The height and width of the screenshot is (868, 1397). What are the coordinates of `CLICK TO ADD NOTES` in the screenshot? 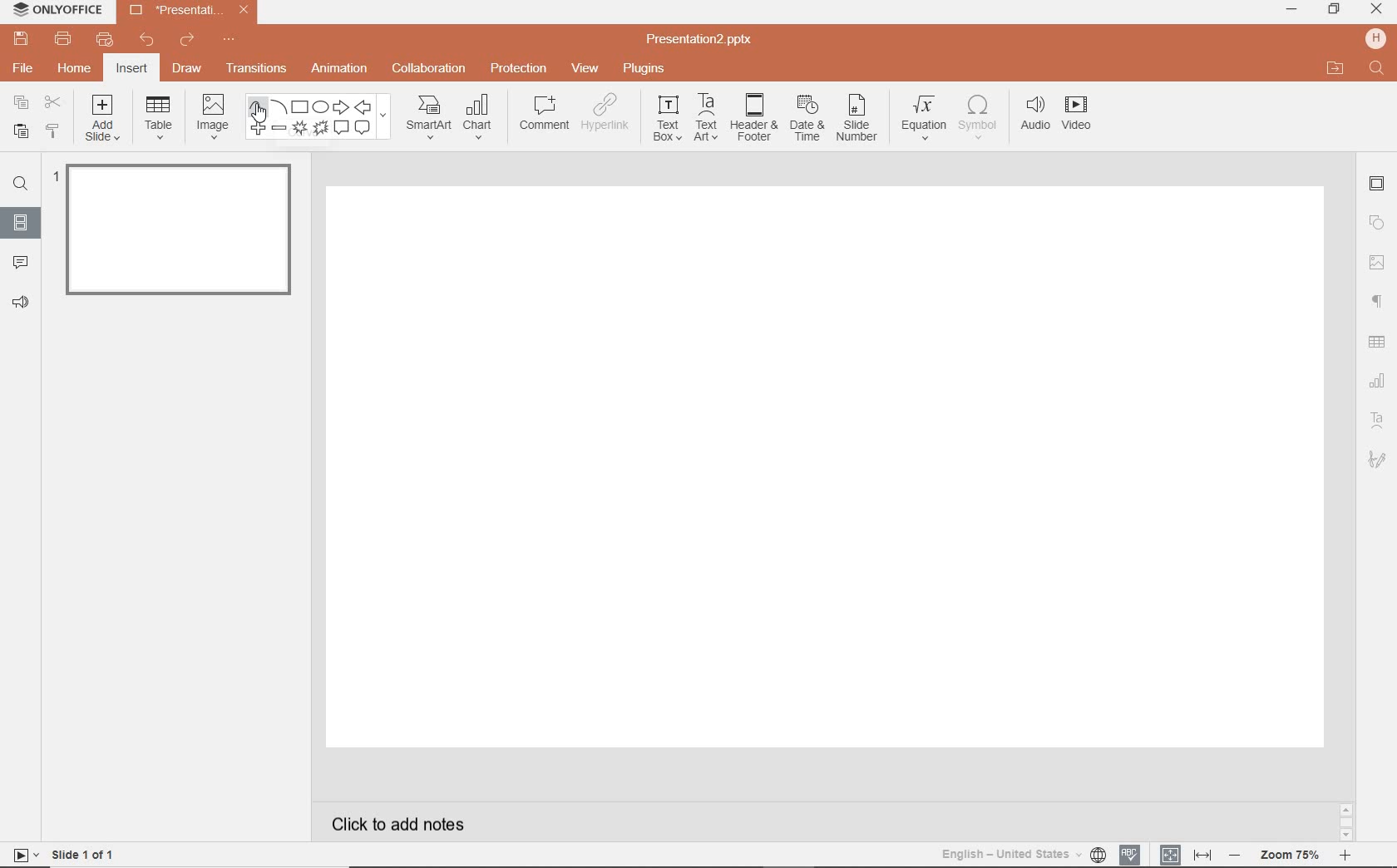 It's located at (403, 824).